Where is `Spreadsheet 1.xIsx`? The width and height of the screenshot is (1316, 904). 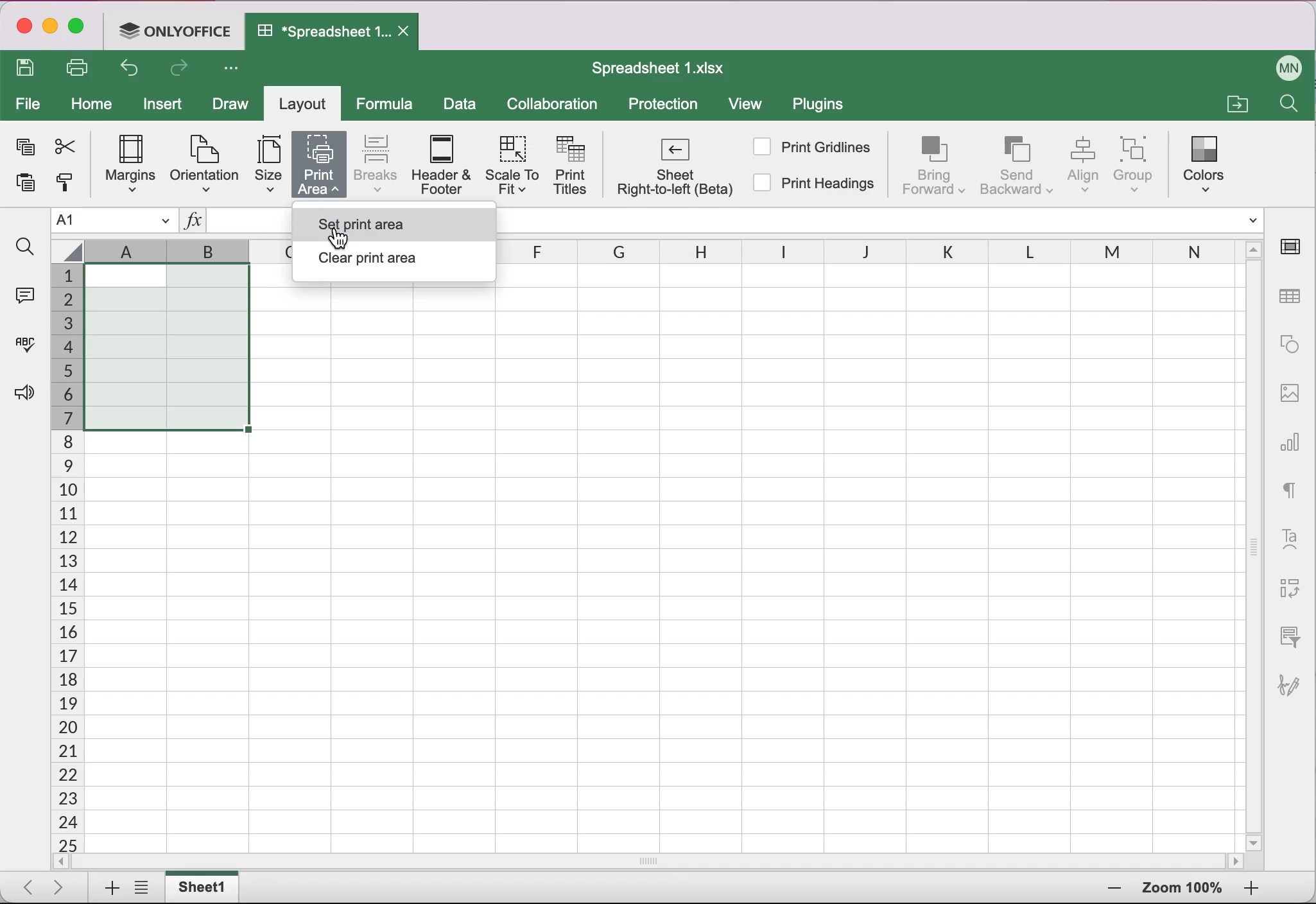 Spreadsheet 1.xIsx is located at coordinates (666, 68).